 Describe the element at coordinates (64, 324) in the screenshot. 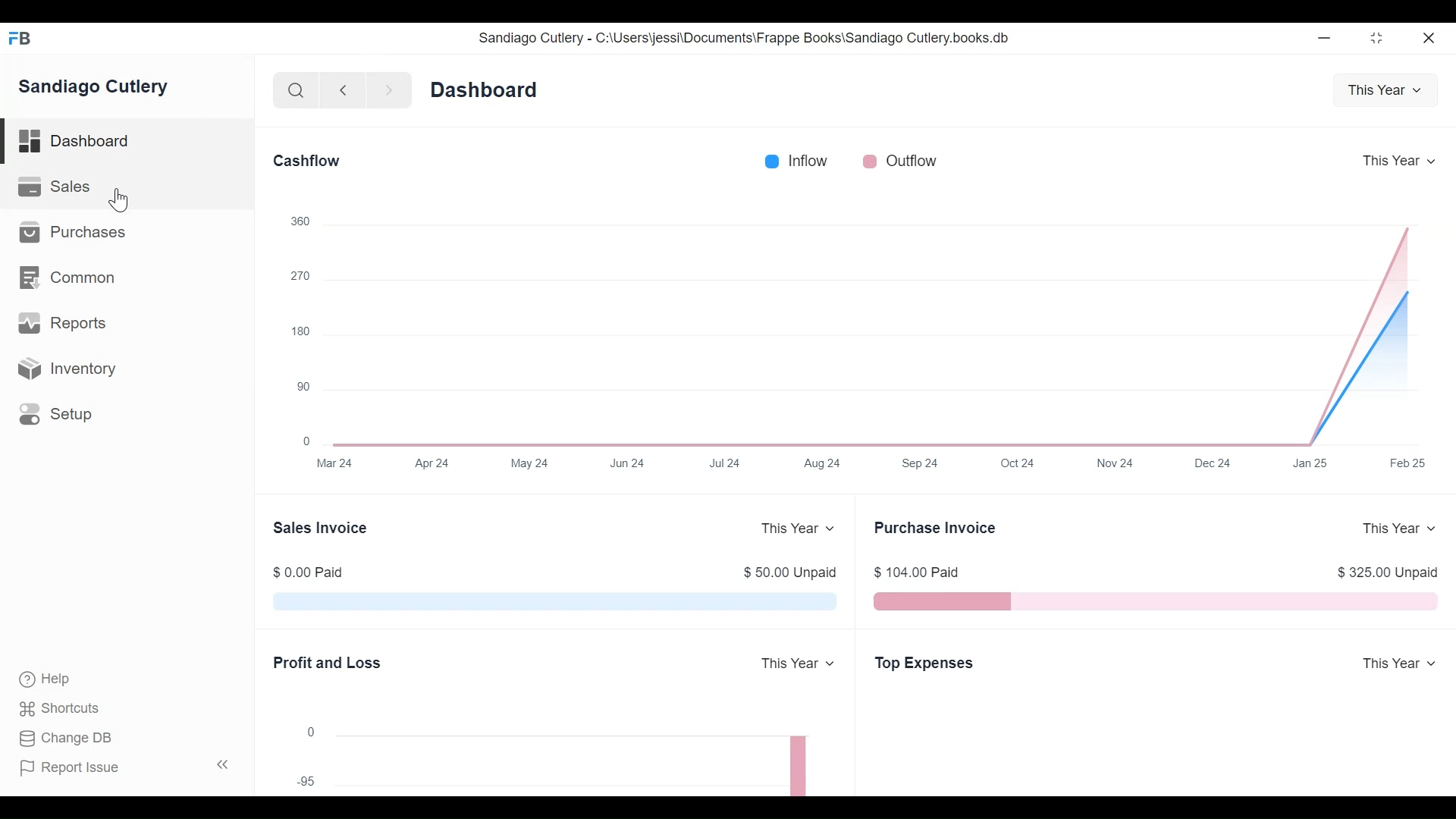

I see `Reports` at that location.